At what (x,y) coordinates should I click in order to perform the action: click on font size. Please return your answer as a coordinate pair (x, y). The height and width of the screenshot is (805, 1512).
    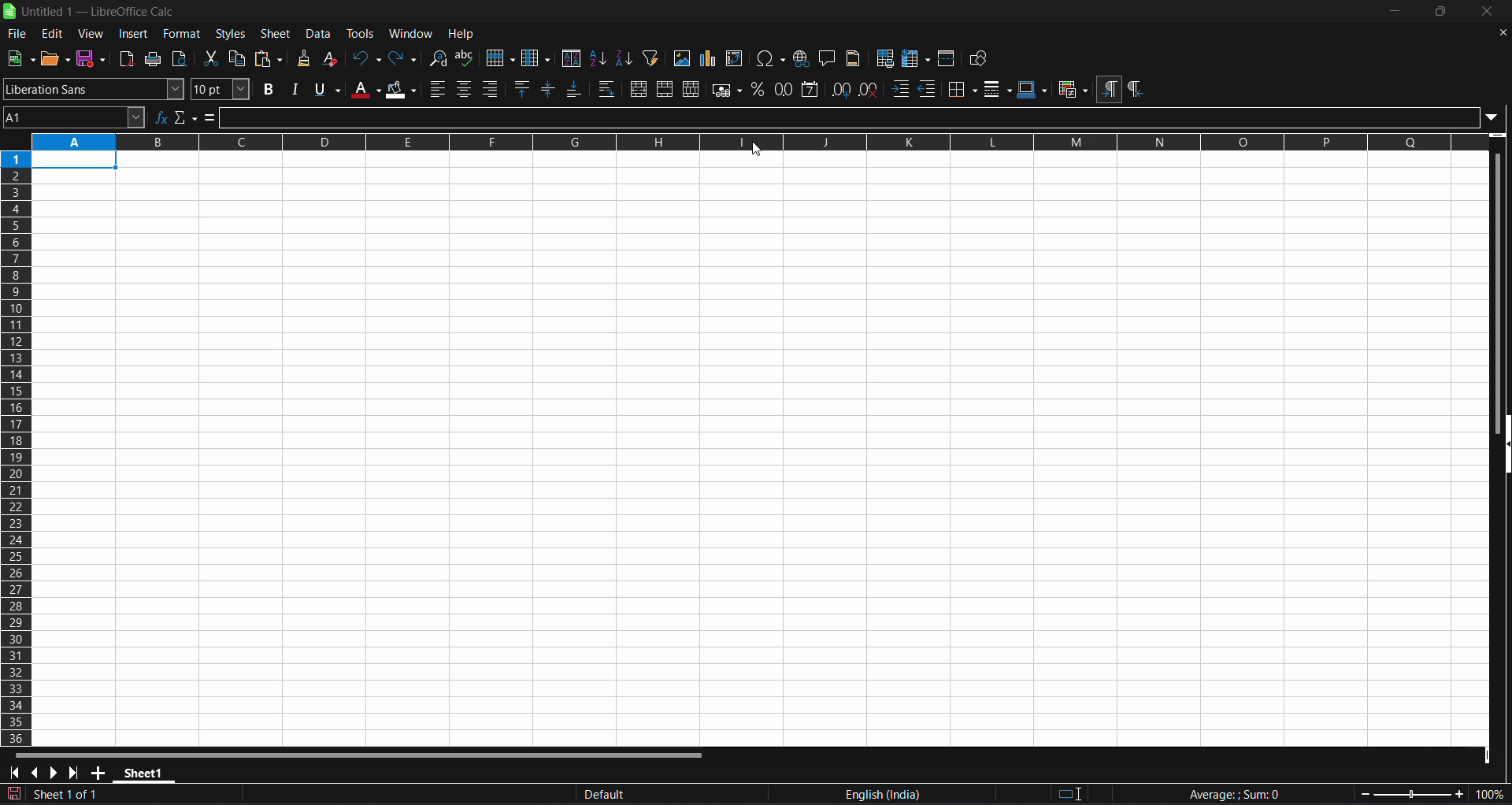
    Looking at the image, I should click on (218, 89).